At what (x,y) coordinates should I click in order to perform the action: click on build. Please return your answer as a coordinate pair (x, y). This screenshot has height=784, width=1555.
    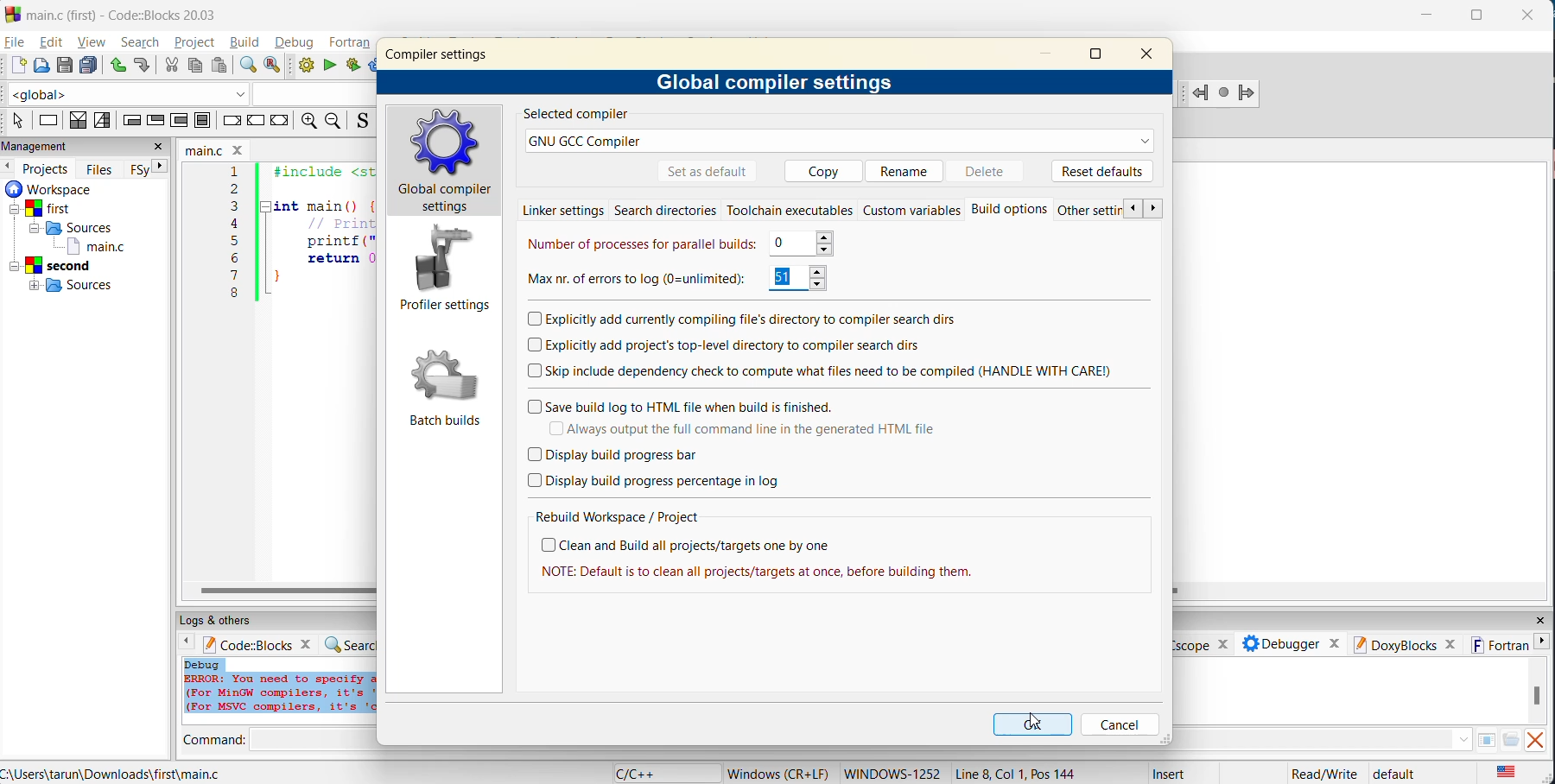
    Looking at the image, I should click on (305, 66).